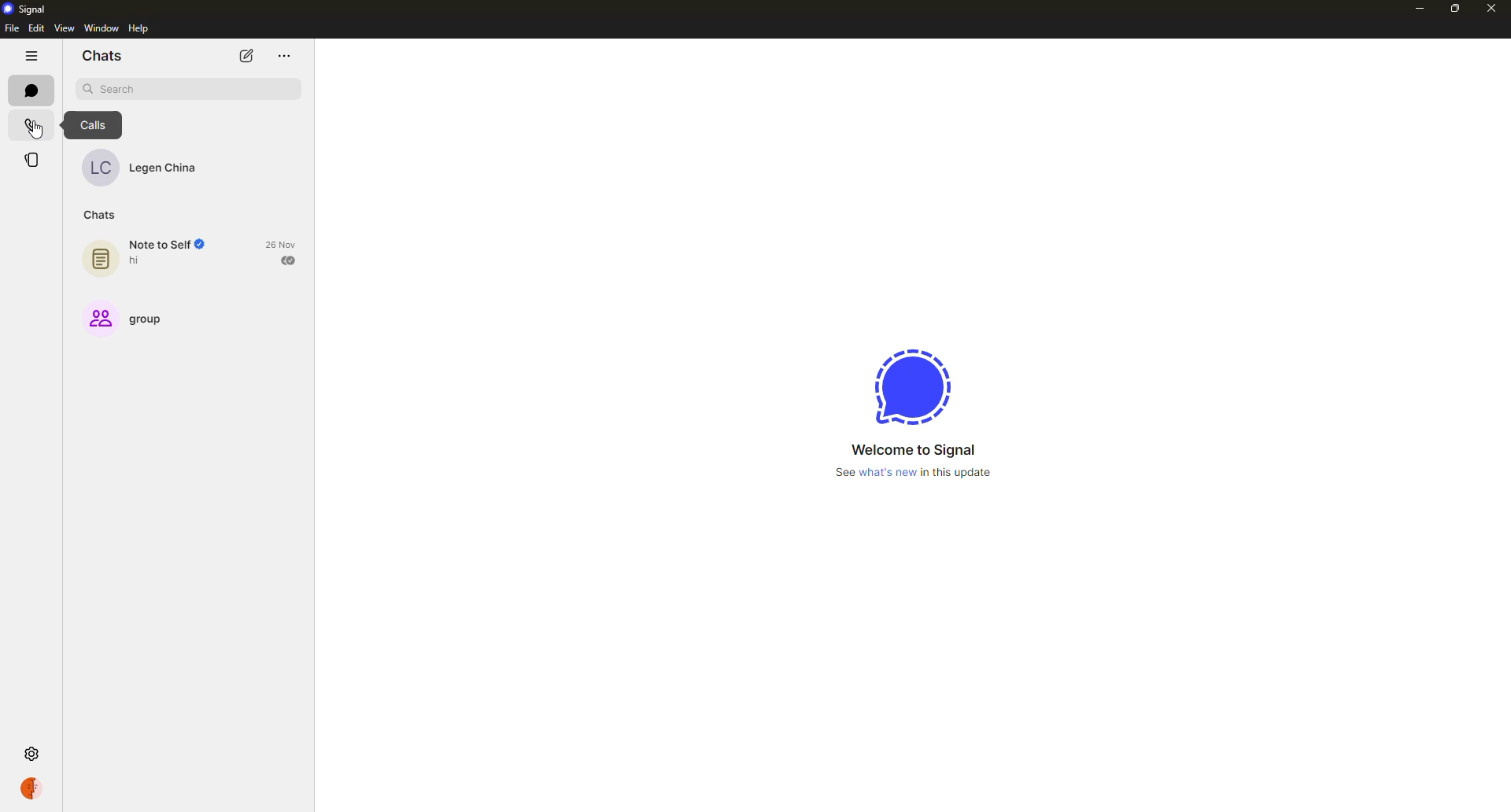  What do you see at coordinates (11, 28) in the screenshot?
I see `file` at bounding box center [11, 28].